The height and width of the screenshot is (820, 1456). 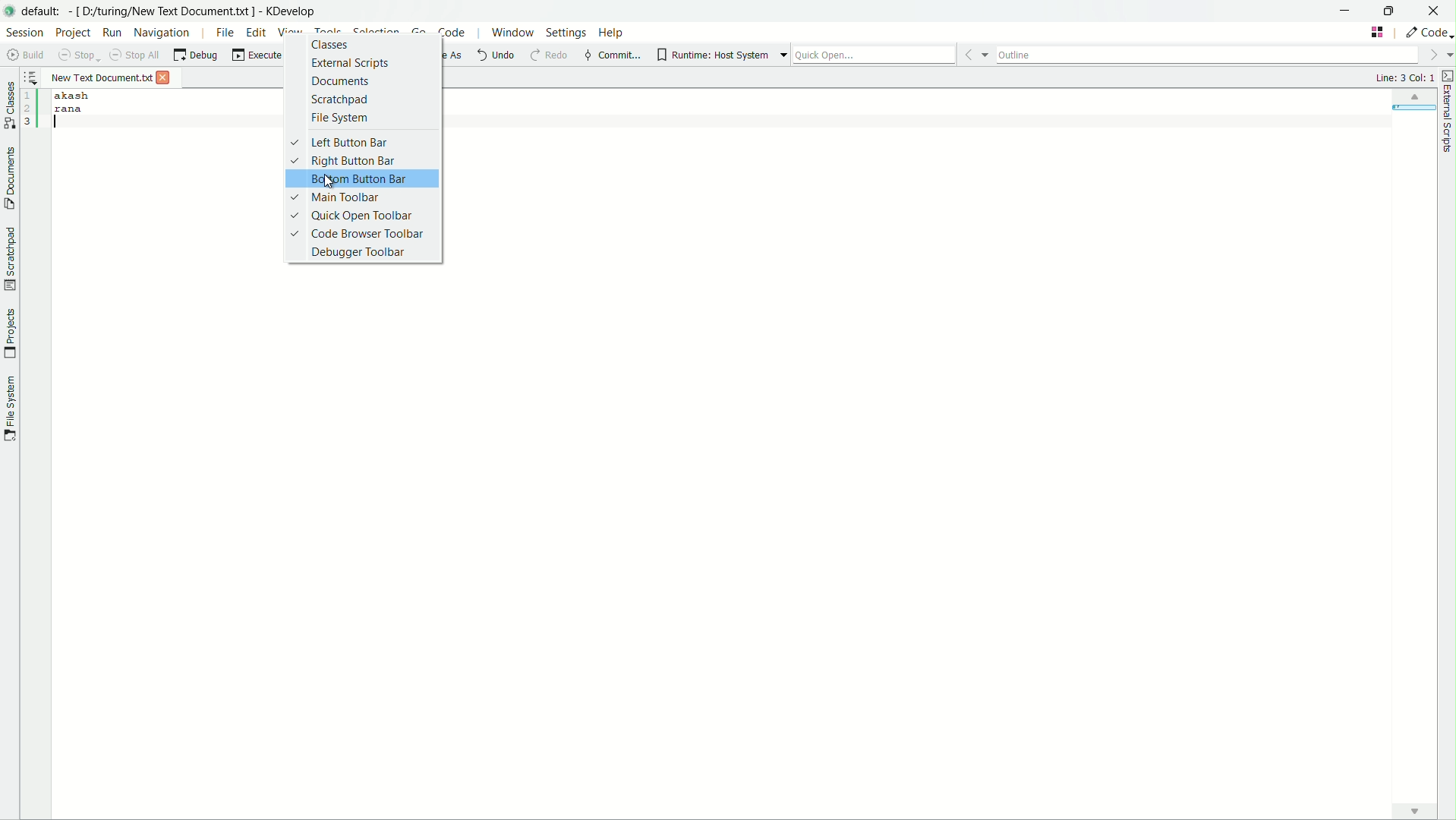 I want to click on quick open toolbar, so click(x=353, y=216).